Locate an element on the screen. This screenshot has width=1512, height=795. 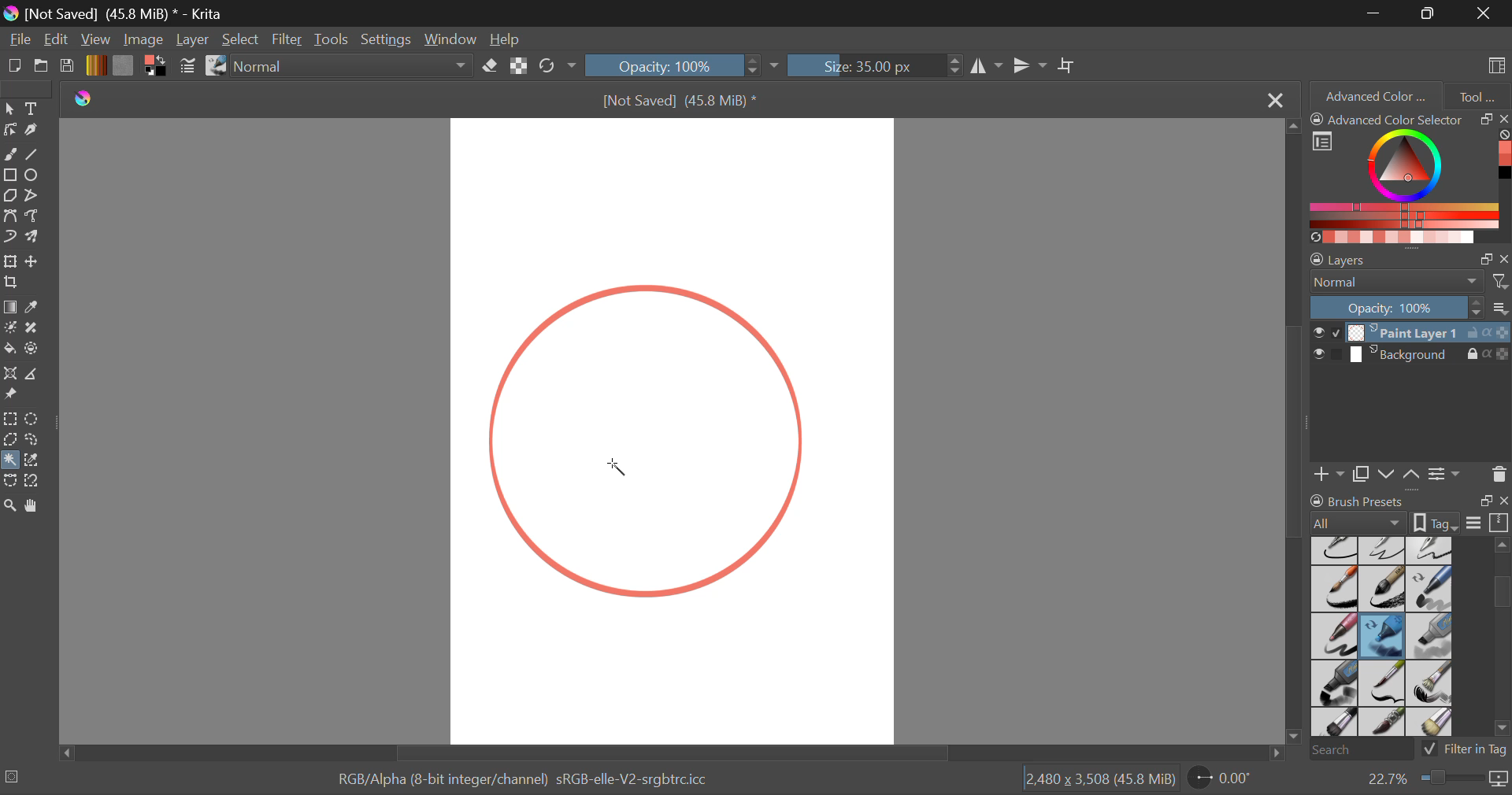
Continuous Selection Tool in Circle is located at coordinates (616, 475).